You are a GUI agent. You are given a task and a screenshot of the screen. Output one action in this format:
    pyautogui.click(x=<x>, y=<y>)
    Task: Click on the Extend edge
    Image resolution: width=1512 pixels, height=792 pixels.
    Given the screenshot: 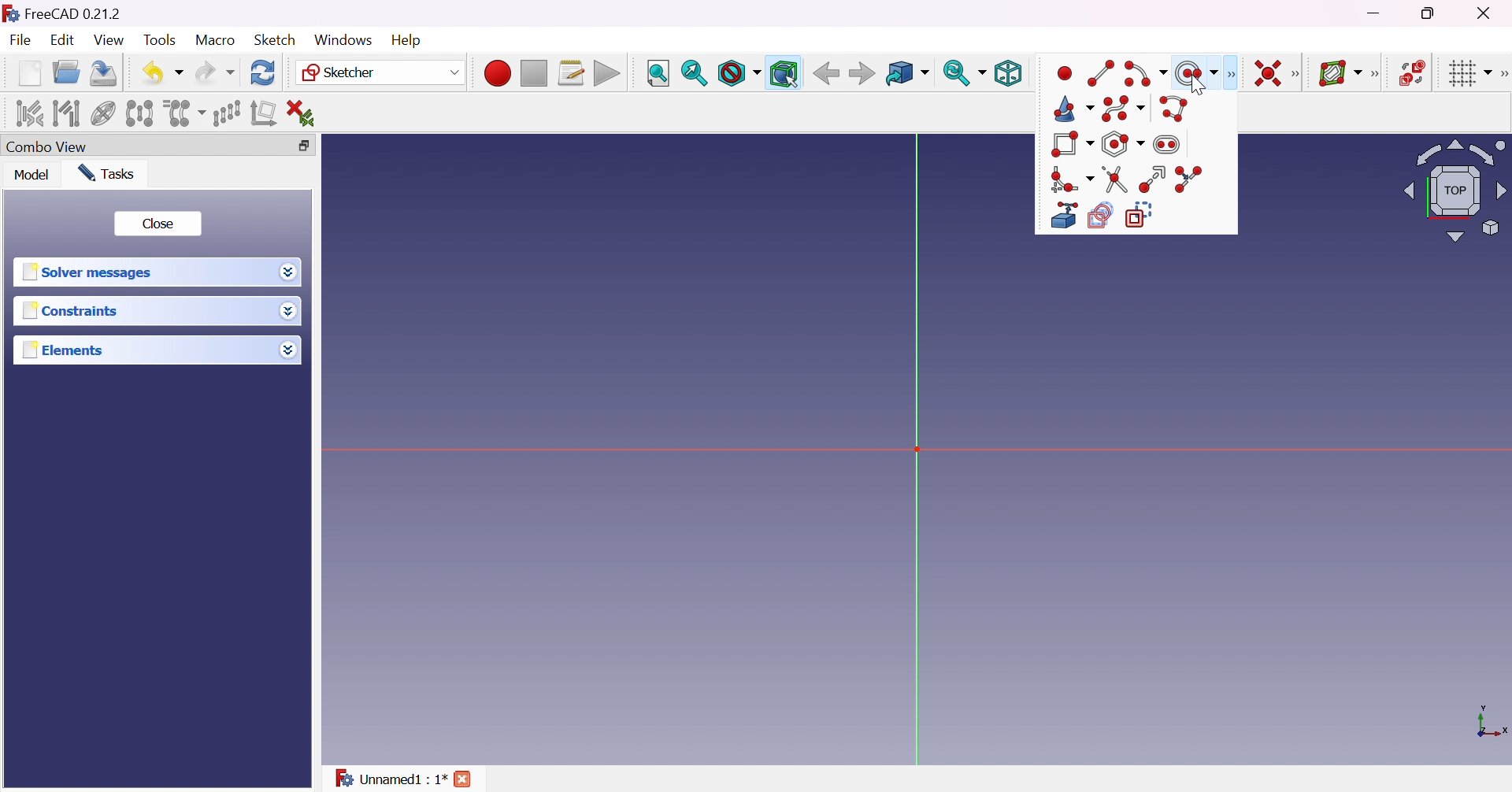 What is the action you would take?
    pyautogui.click(x=1153, y=179)
    